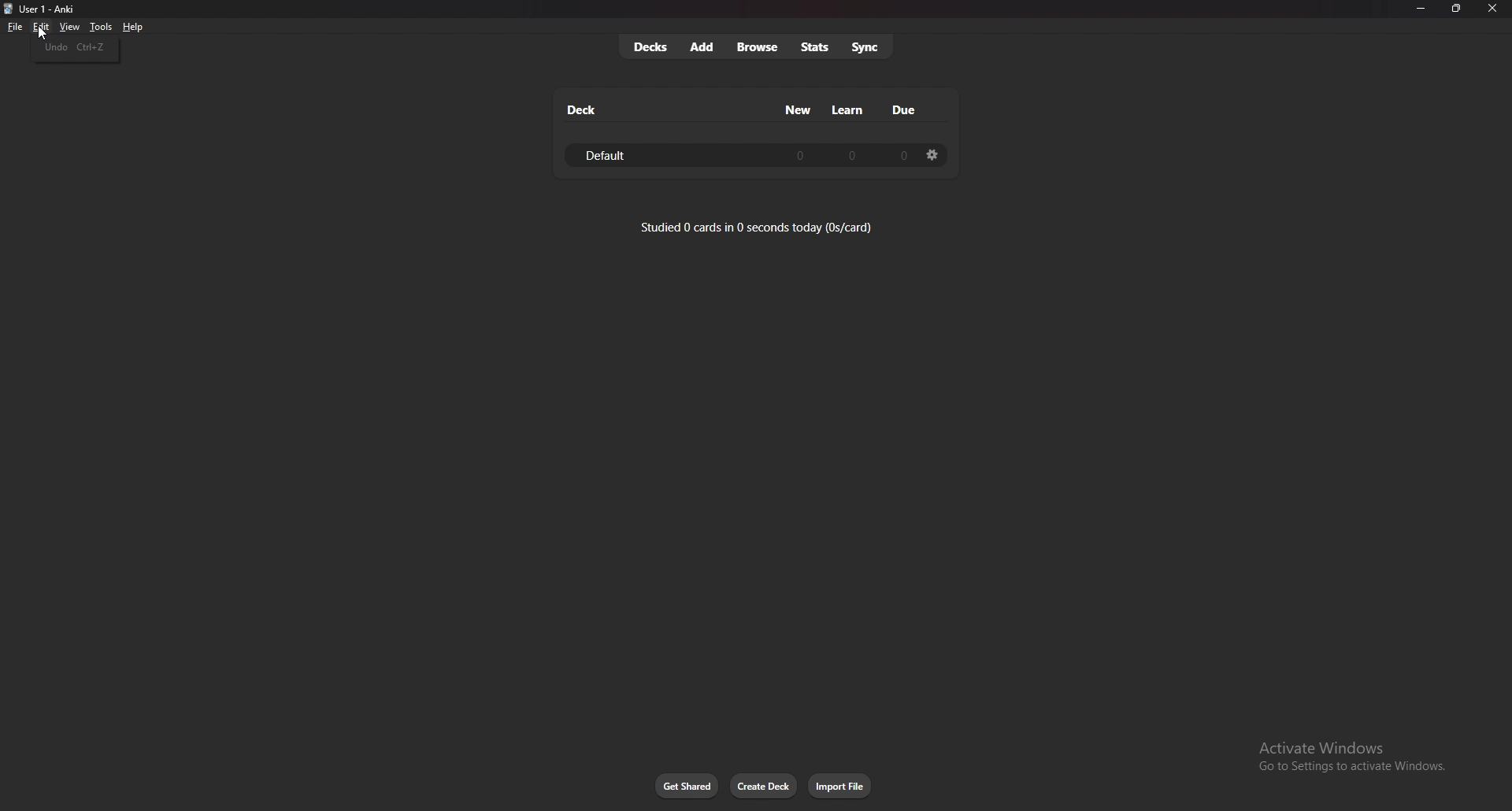 The image size is (1512, 811). Describe the element at coordinates (626, 155) in the screenshot. I see `default` at that location.